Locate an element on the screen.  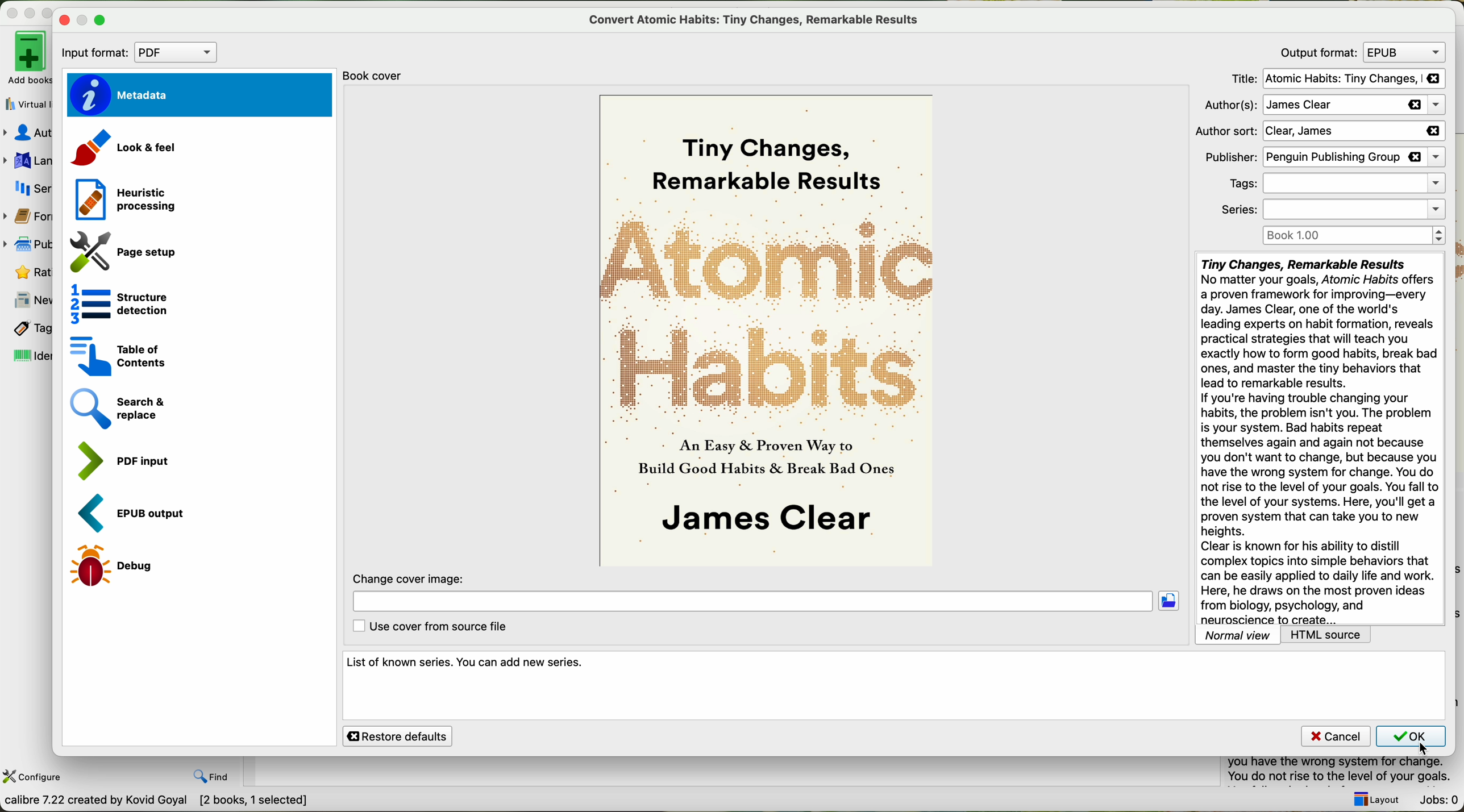
languages is located at coordinates (27, 160).